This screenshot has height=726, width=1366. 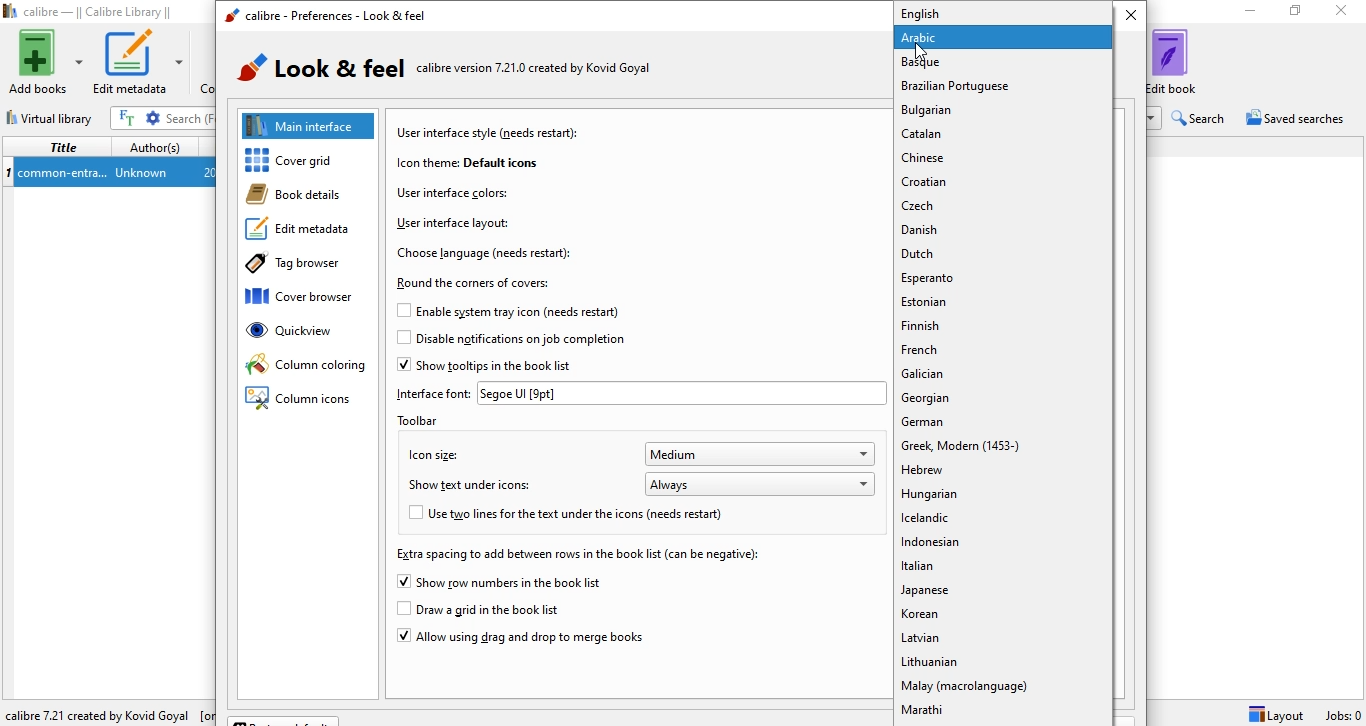 I want to click on Author(s), so click(x=156, y=145).